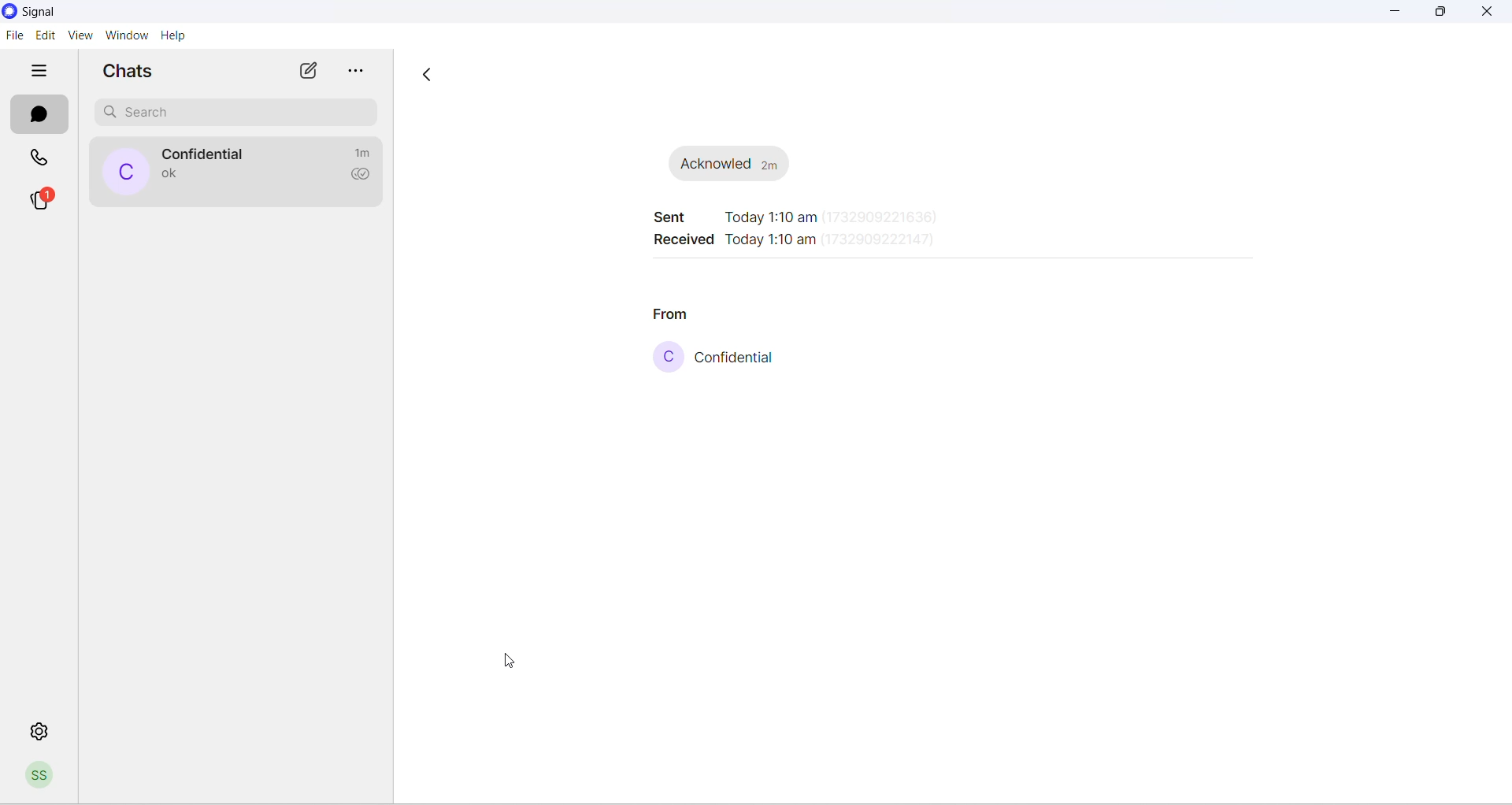 Image resolution: width=1512 pixels, height=805 pixels. I want to click on maximize, so click(1445, 12).